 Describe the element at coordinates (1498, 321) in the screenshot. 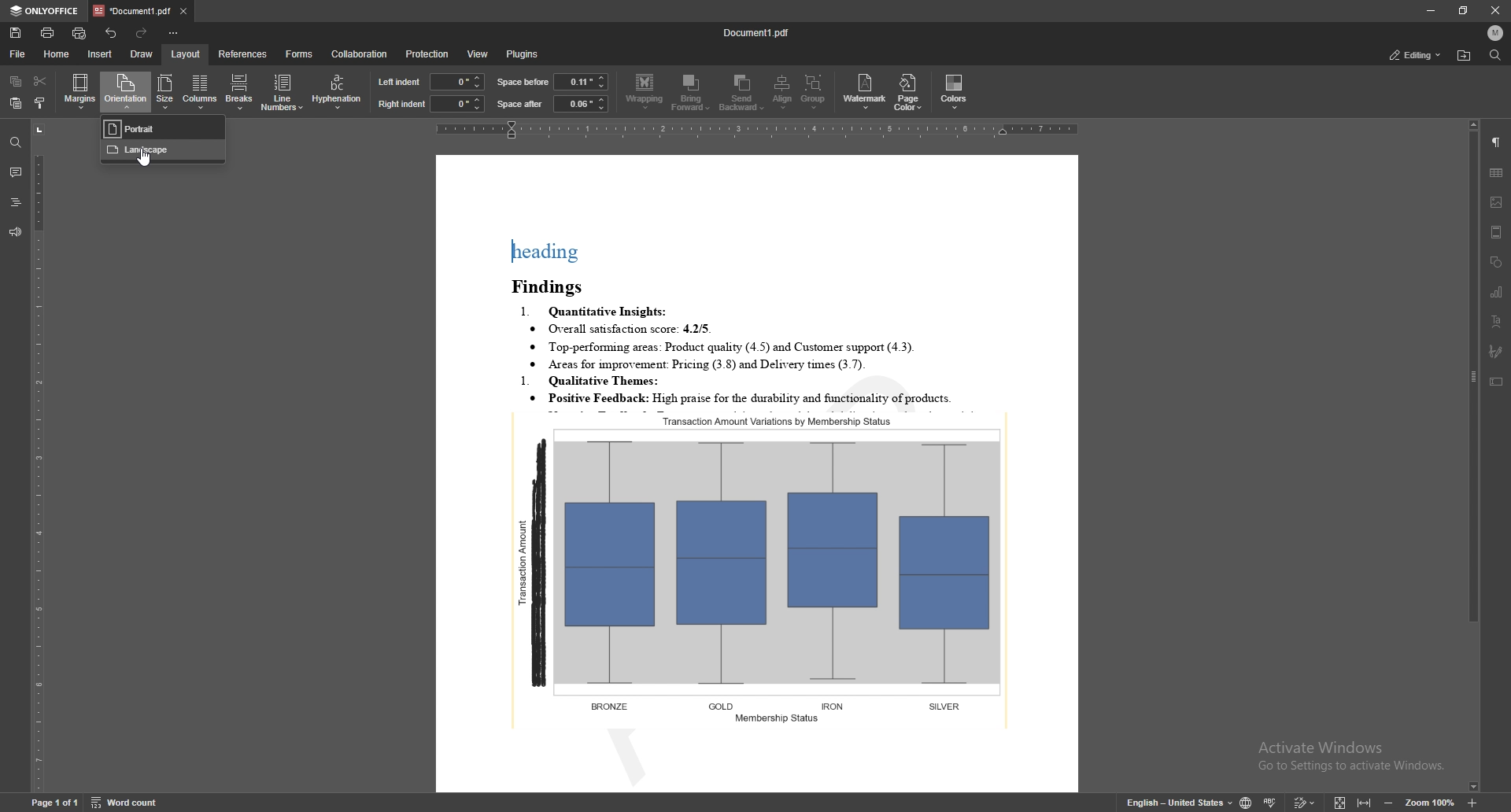

I see `text art` at that location.